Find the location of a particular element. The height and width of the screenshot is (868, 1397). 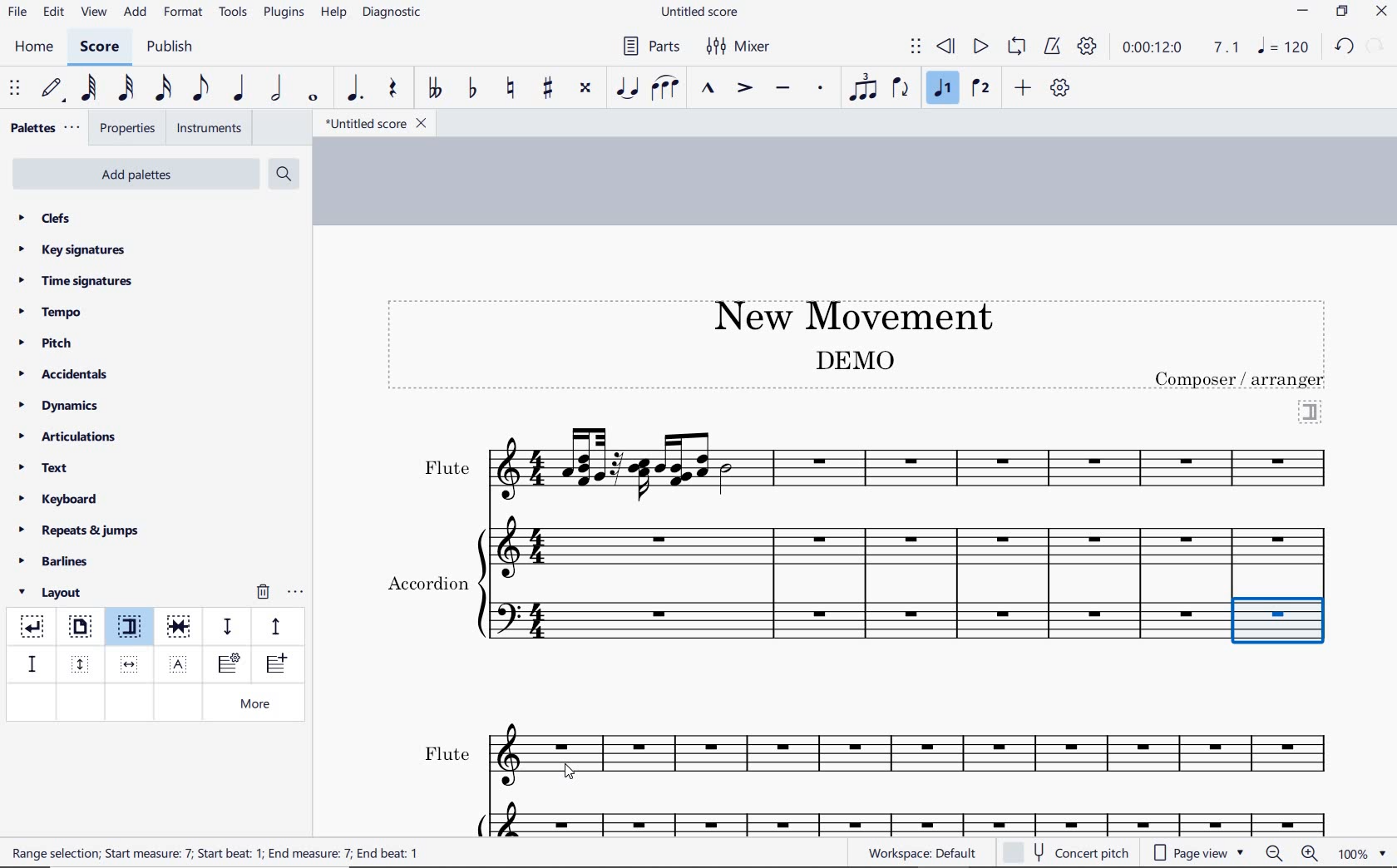

keyboard is located at coordinates (59, 499).